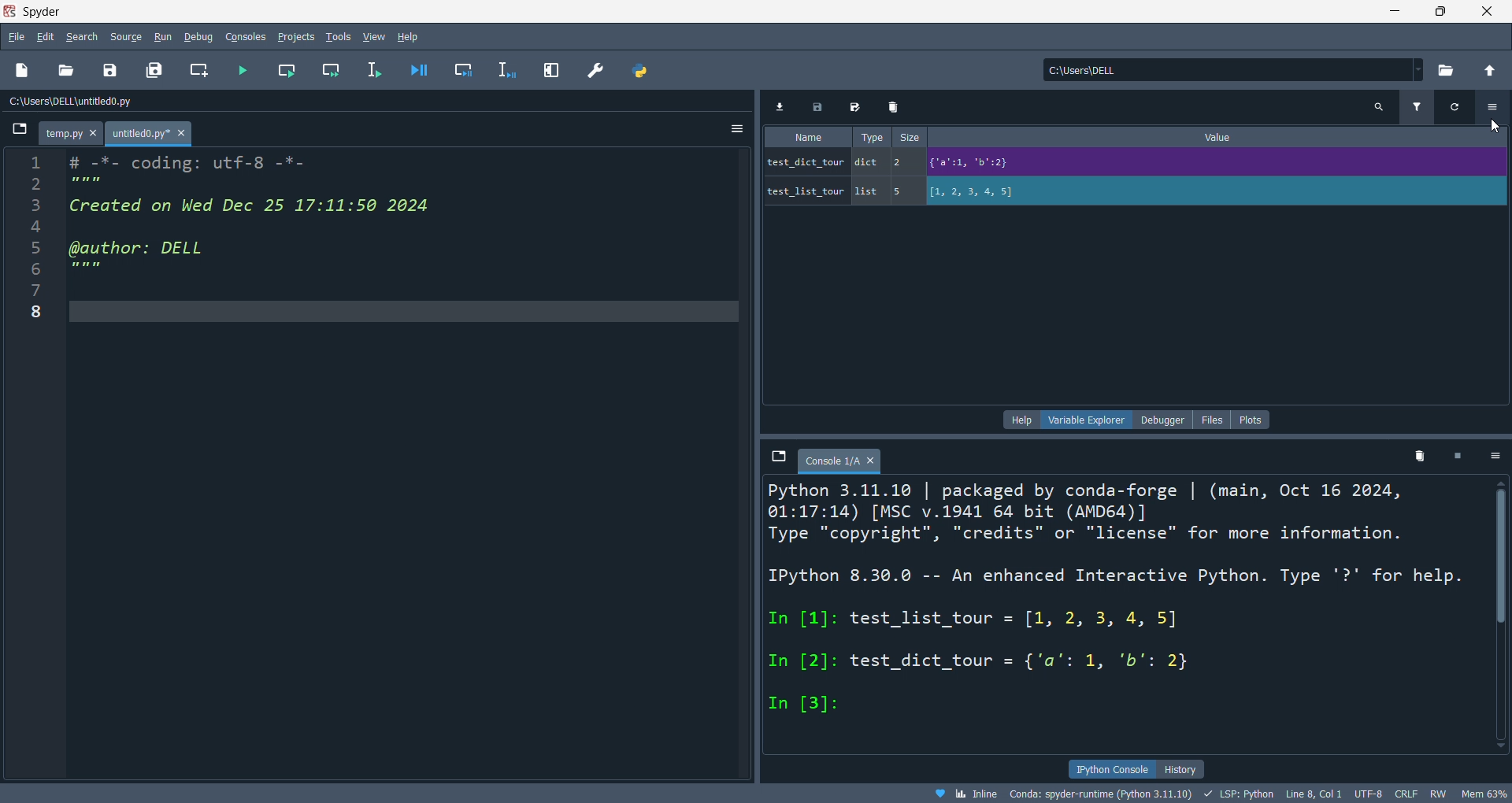 This screenshot has height=803, width=1512. What do you see at coordinates (551, 69) in the screenshot?
I see `expand pane` at bounding box center [551, 69].